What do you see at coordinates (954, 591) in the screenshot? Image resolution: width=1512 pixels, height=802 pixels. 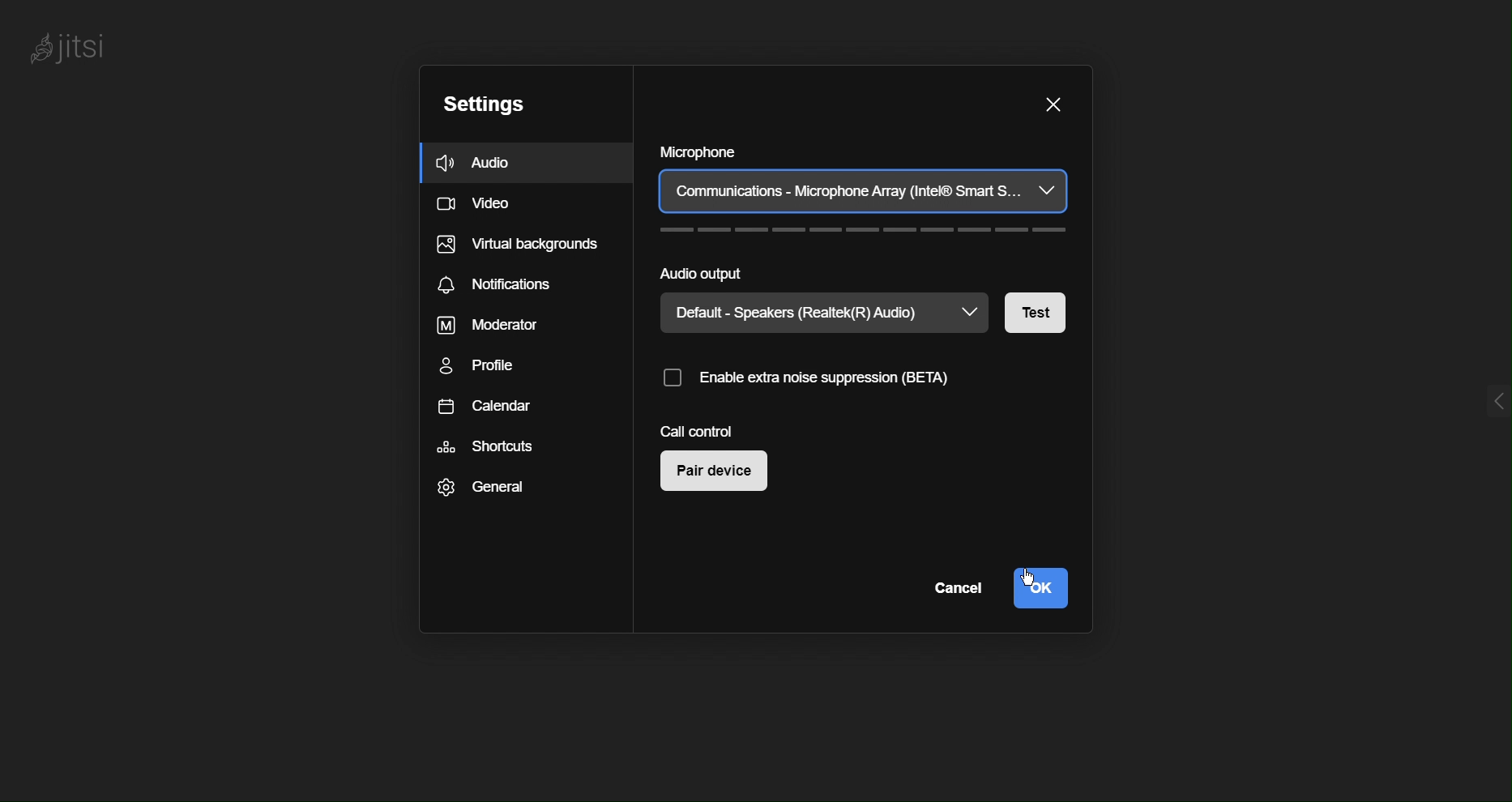 I see `Cancel` at bounding box center [954, 591].